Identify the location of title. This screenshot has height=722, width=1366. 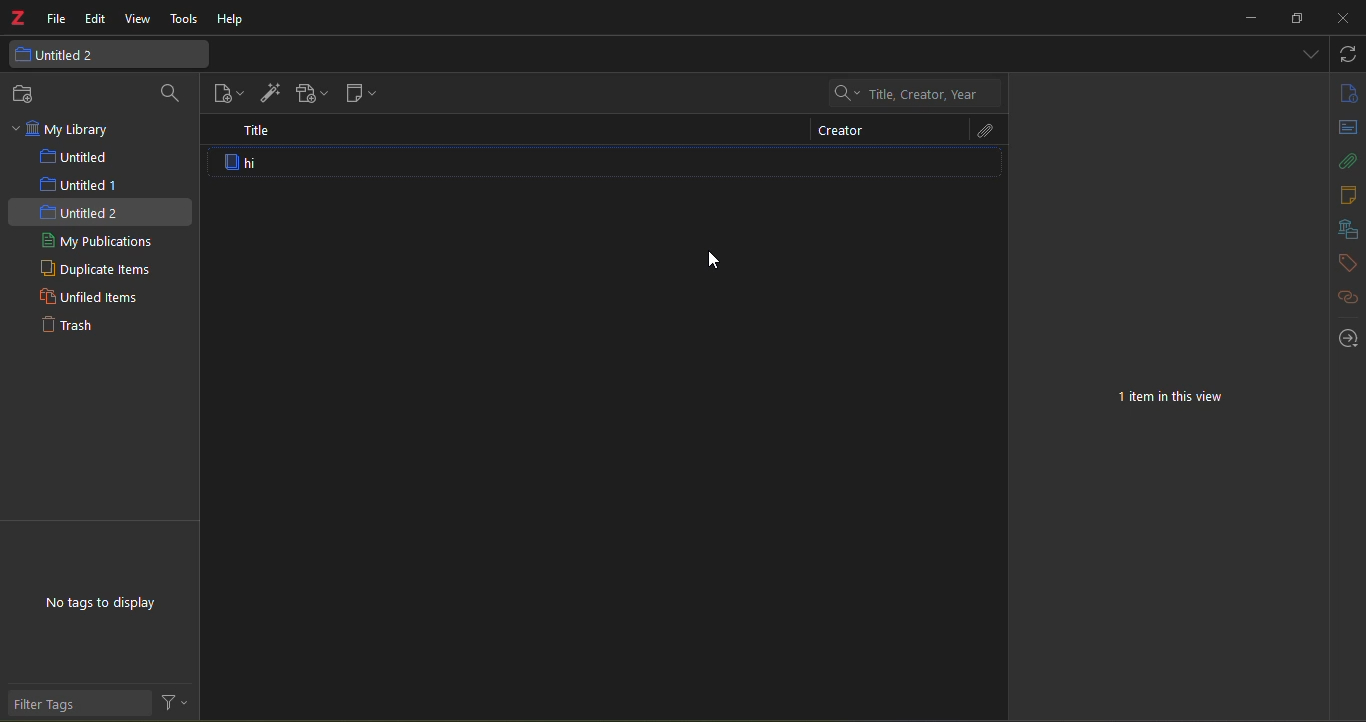
(258, 133).